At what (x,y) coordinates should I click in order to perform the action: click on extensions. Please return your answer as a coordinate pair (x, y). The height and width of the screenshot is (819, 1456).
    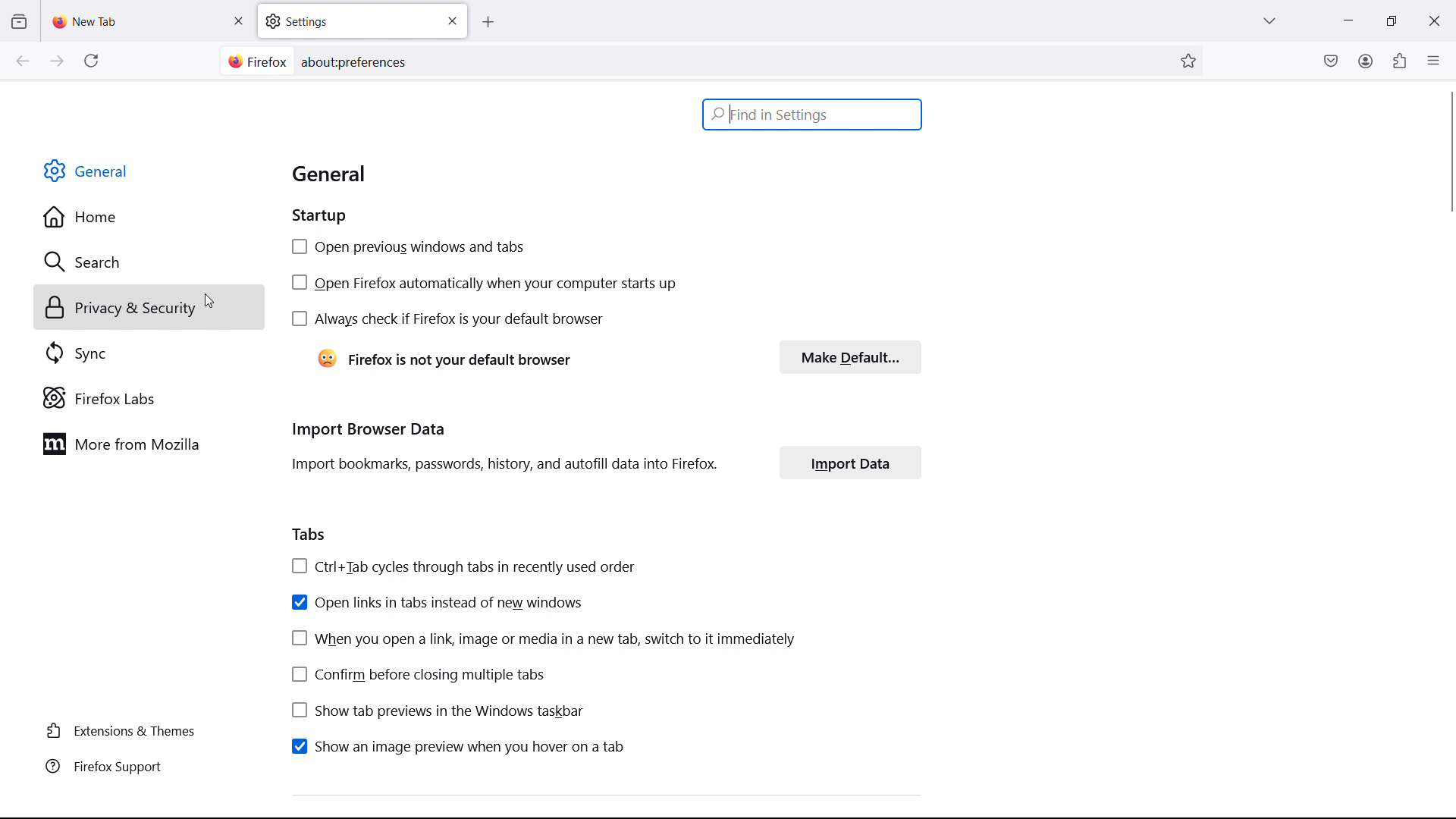
    Looking at the image, I should click on (1398, 61).